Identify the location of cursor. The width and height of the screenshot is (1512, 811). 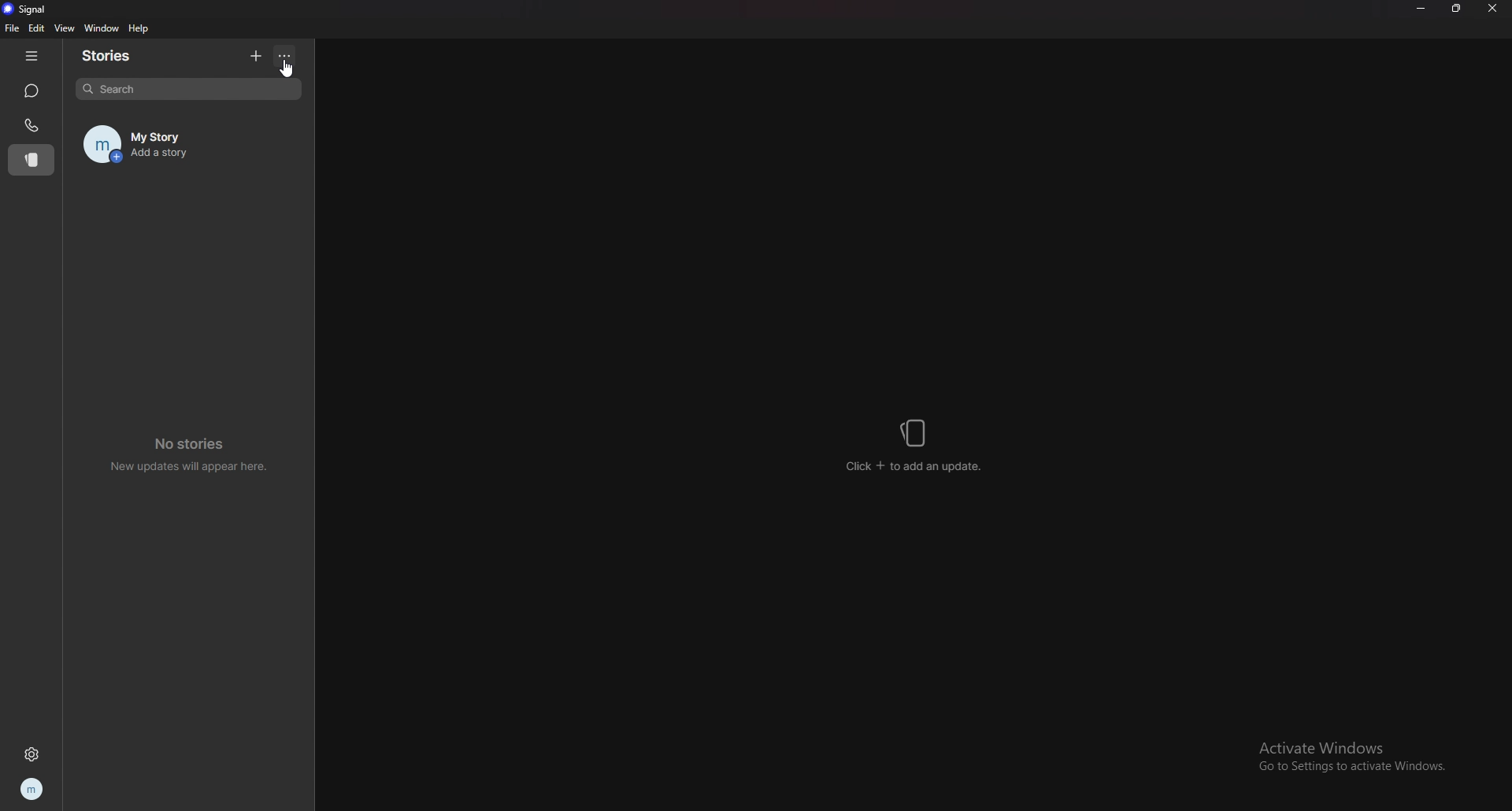
(285, 67).